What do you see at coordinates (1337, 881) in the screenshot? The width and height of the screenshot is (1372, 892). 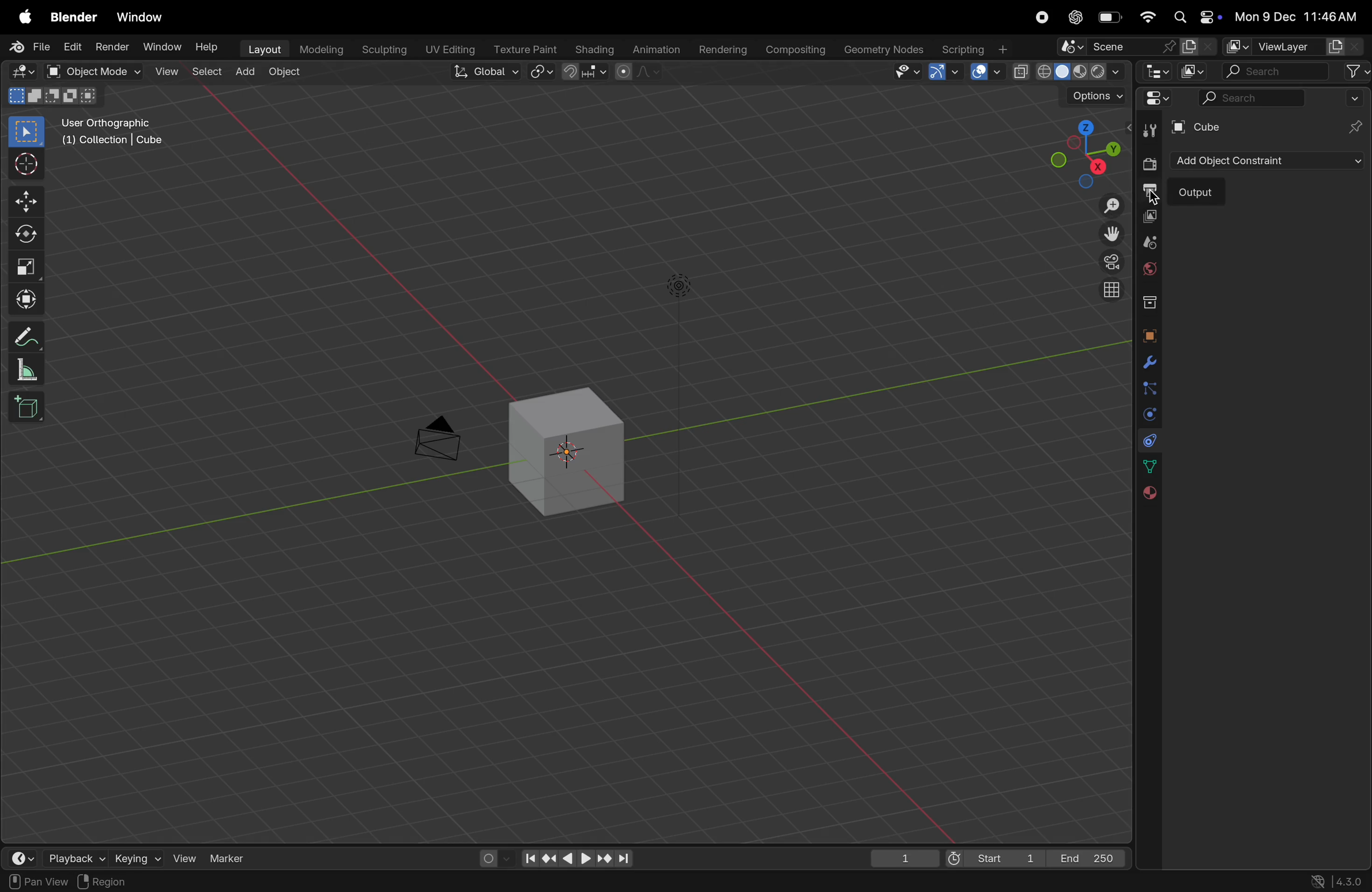 I see `versions` at bounding box center [1337, 881].